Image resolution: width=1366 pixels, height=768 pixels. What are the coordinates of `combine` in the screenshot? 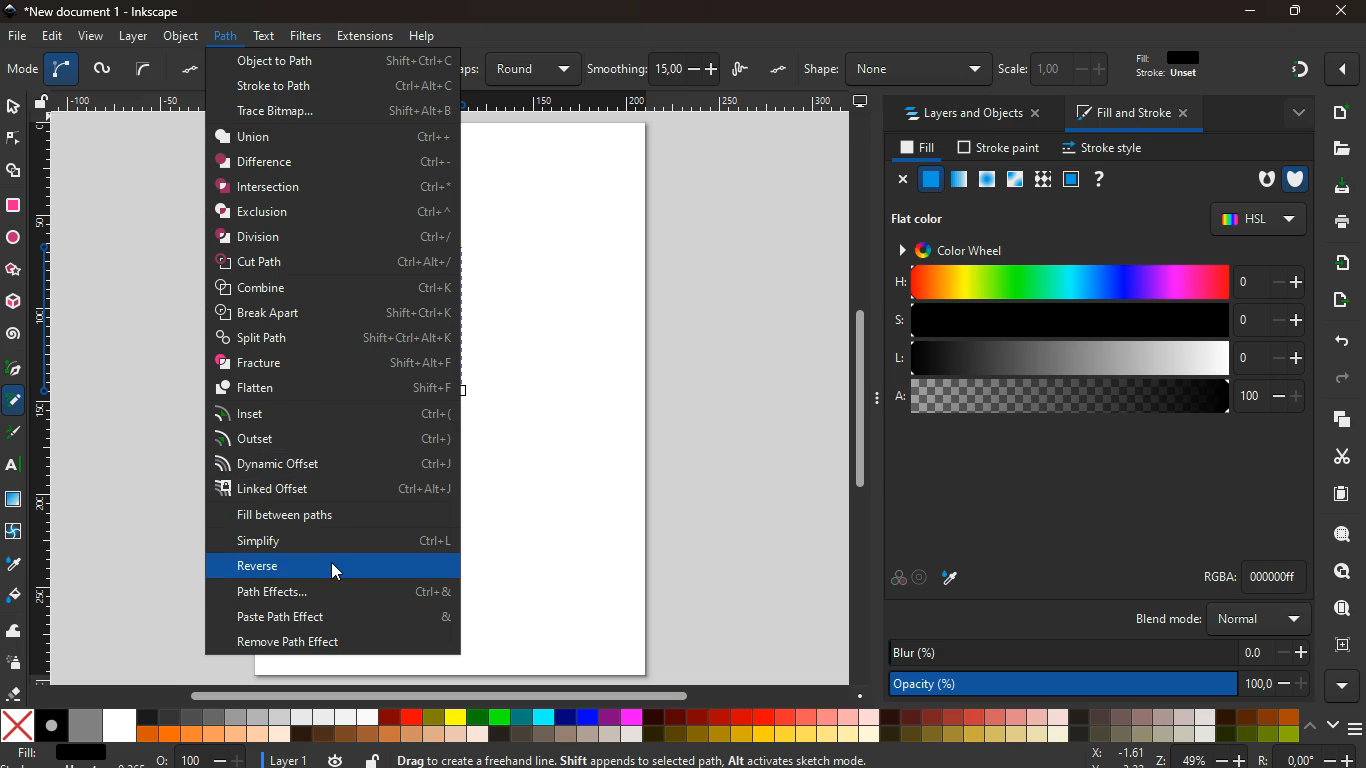 It's located at (336, 289).